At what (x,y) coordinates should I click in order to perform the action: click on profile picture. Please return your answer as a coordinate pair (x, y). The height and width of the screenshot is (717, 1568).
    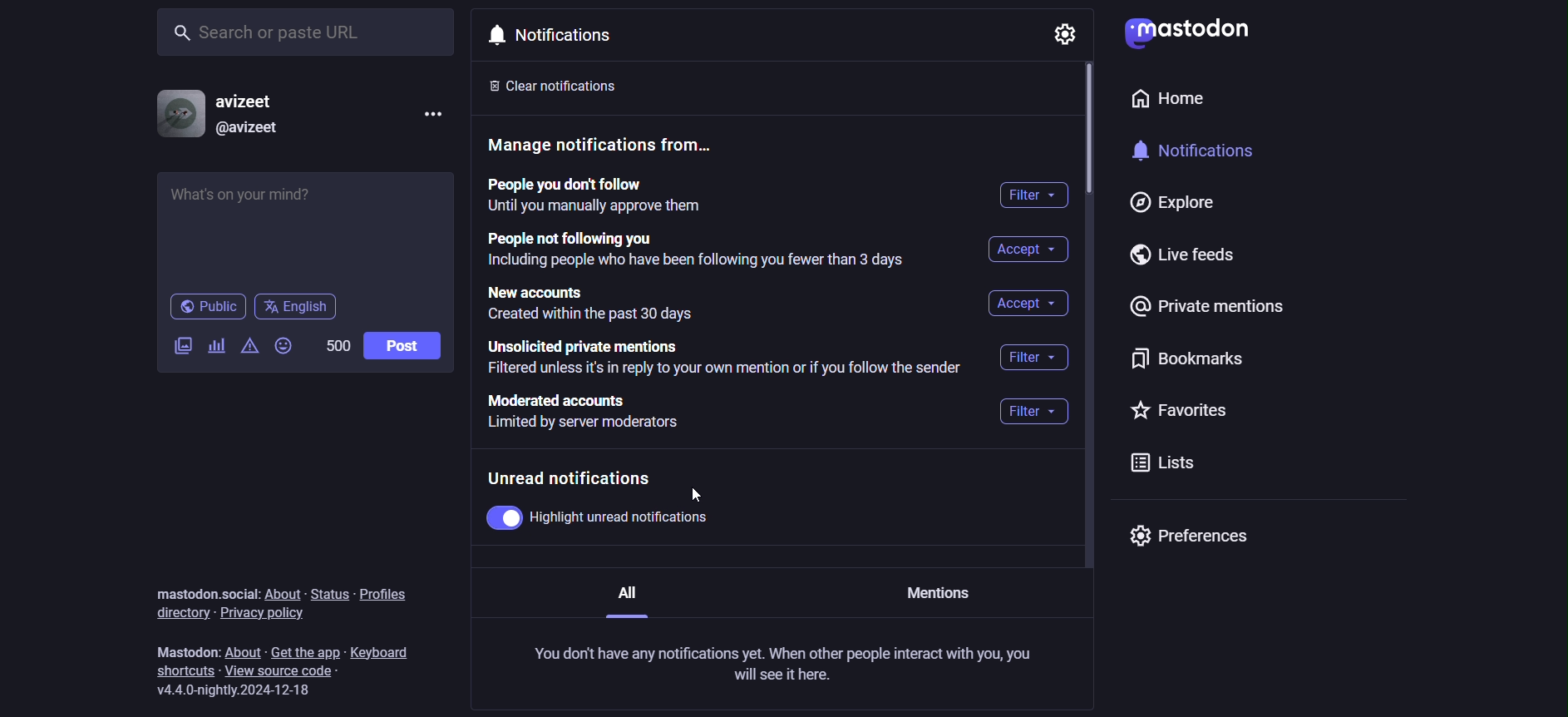
    Looking at the image, I should click on (177, 114).